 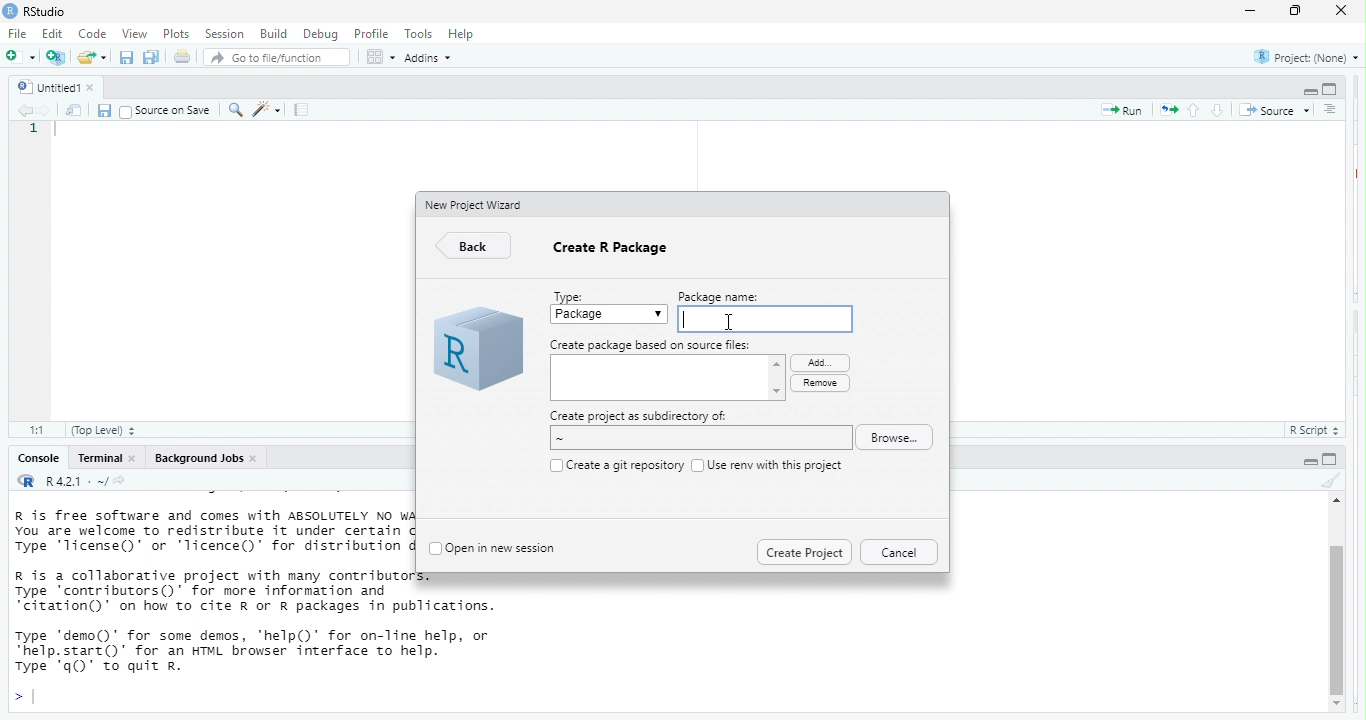 I want to click on Cancel, so click(x=898, y=552).